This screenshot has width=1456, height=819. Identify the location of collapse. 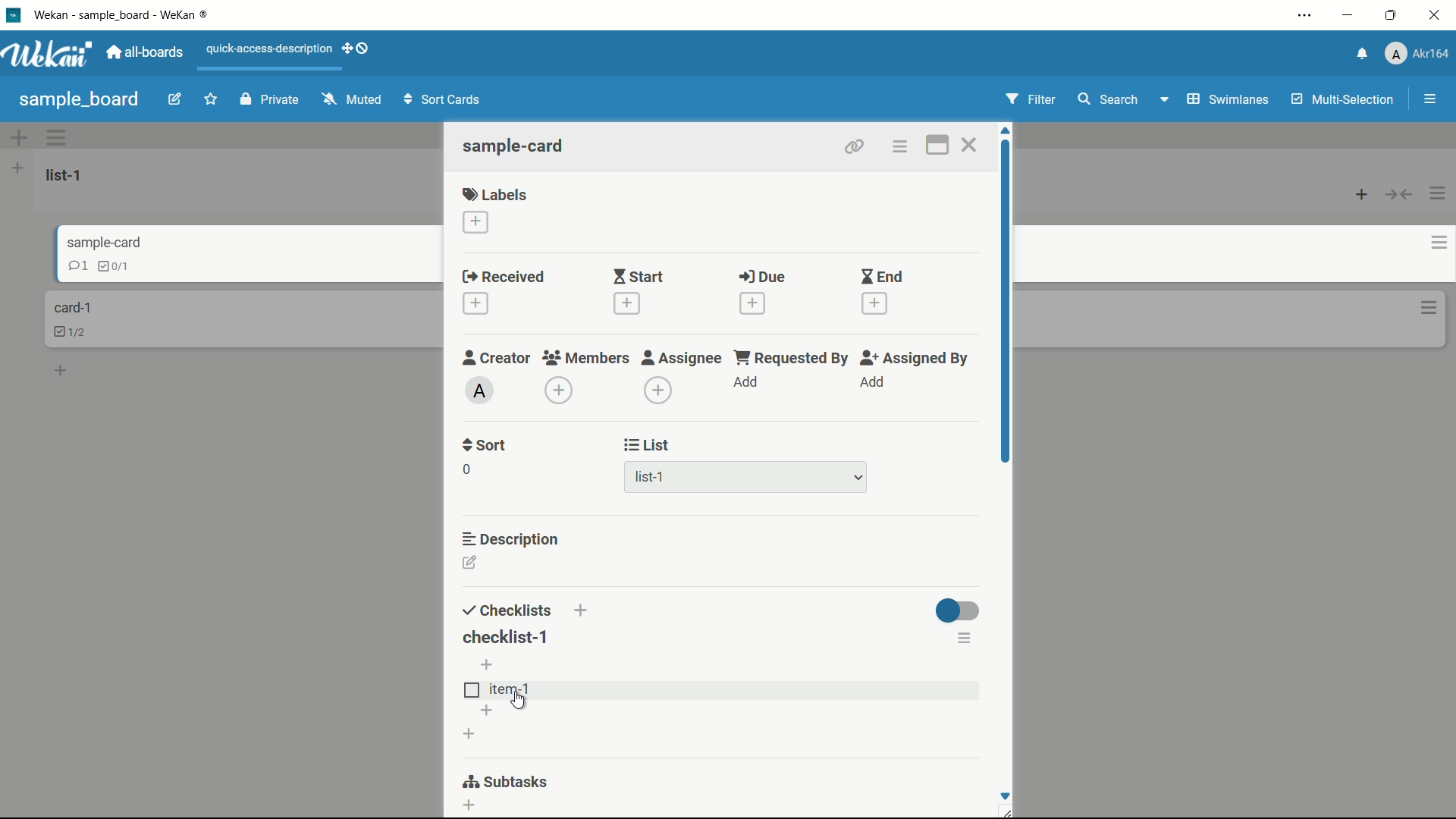
(1399, 196).